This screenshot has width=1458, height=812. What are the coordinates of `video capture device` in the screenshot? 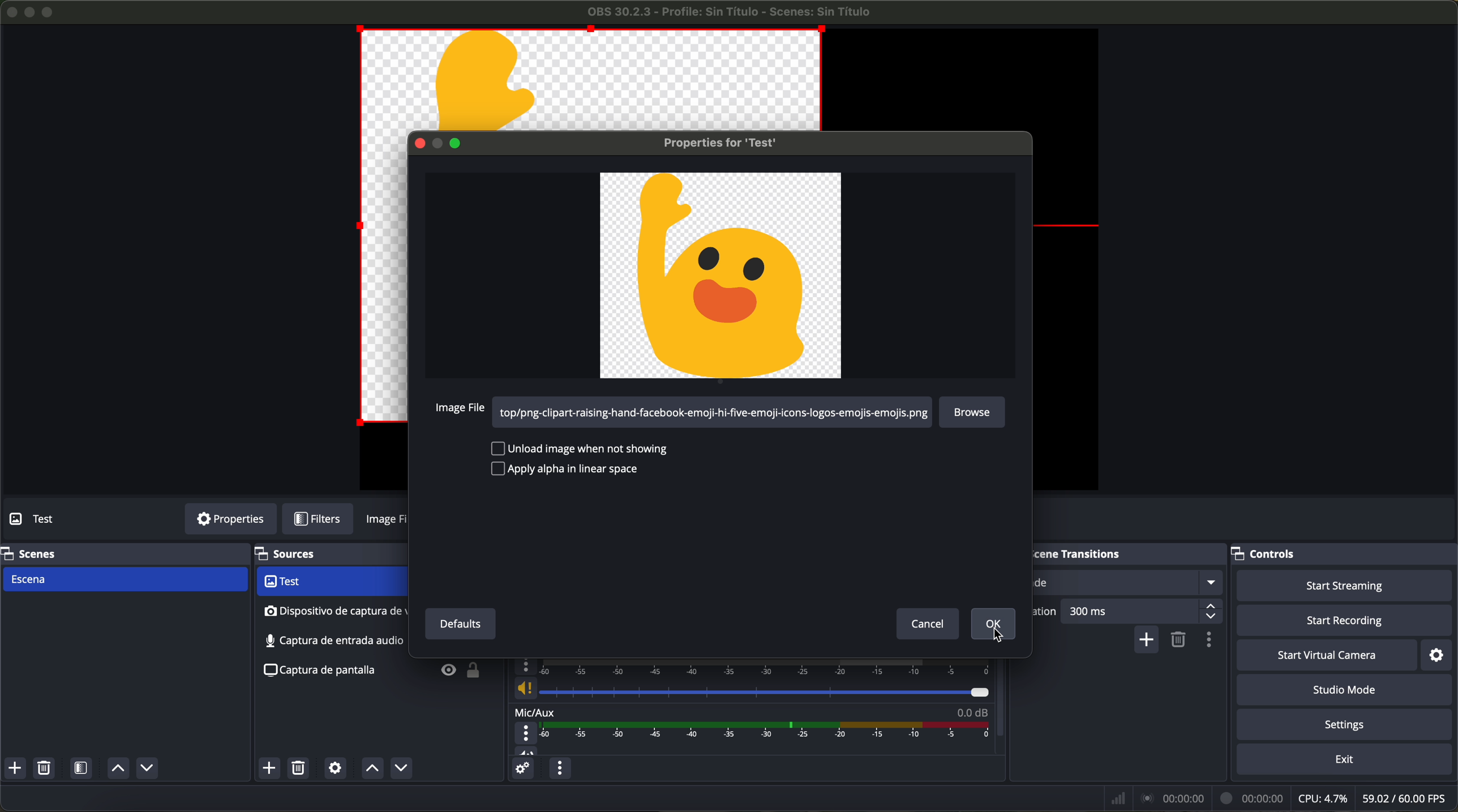 It's located at (330, 582).